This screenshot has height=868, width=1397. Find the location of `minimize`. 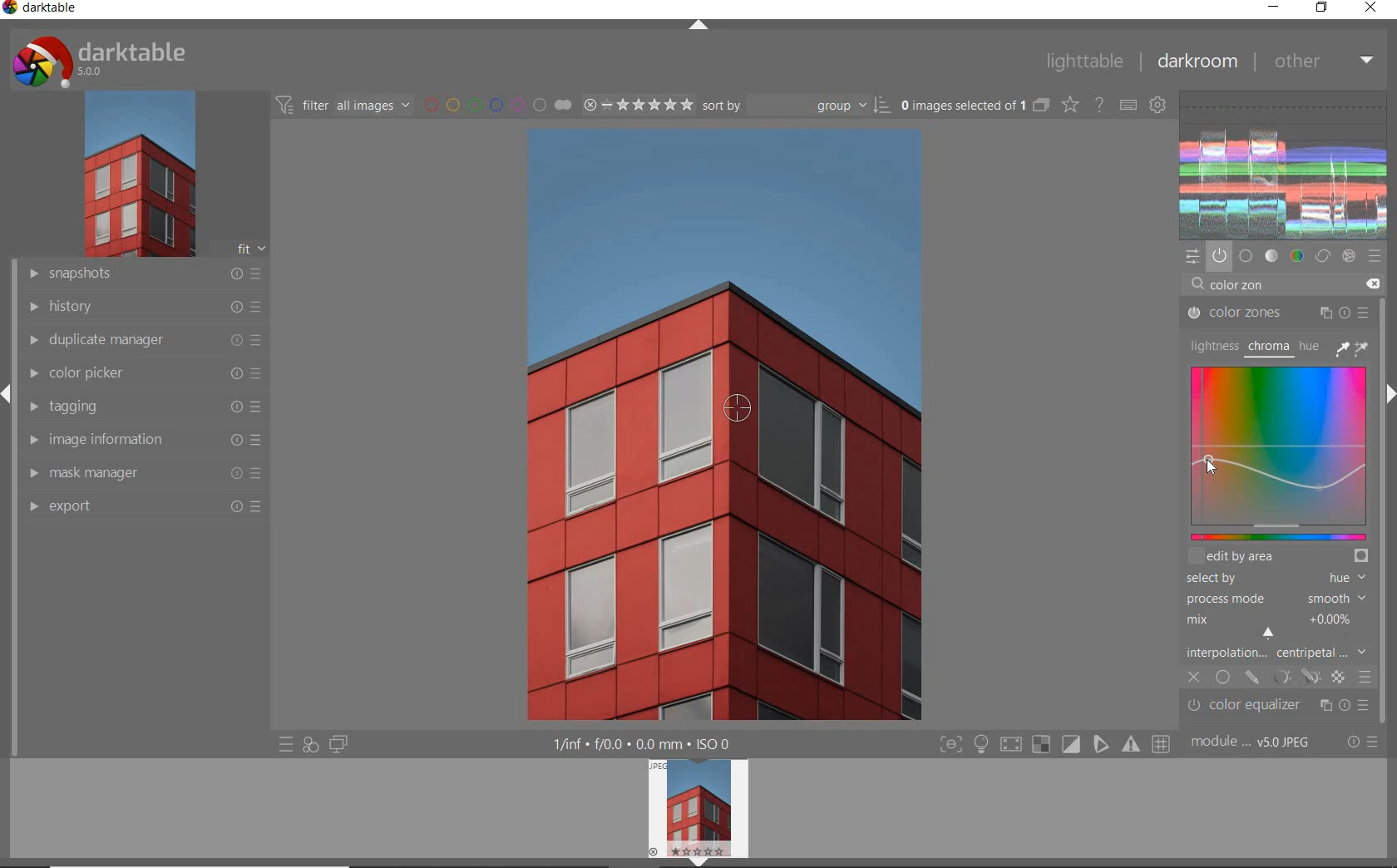

minimize is located at coordinates (1274, 8).